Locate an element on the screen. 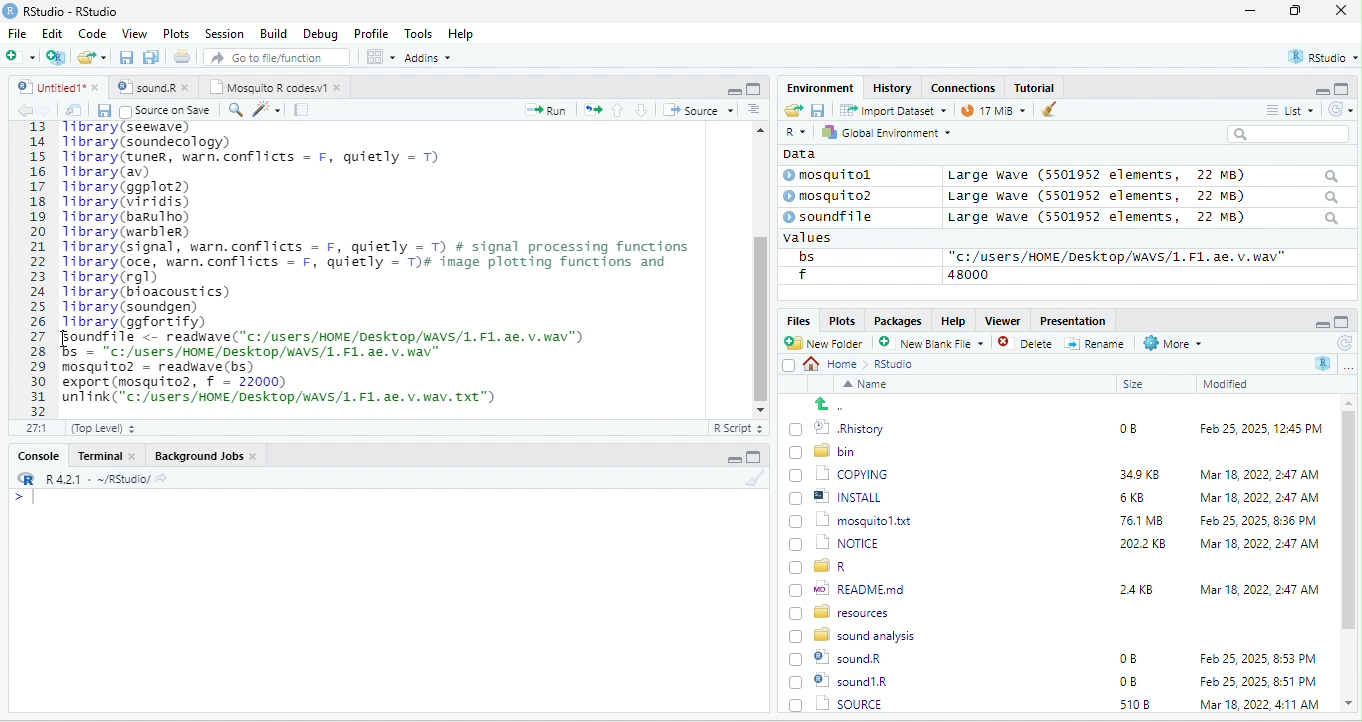  © sound1R is located at coordinates (842, 660).